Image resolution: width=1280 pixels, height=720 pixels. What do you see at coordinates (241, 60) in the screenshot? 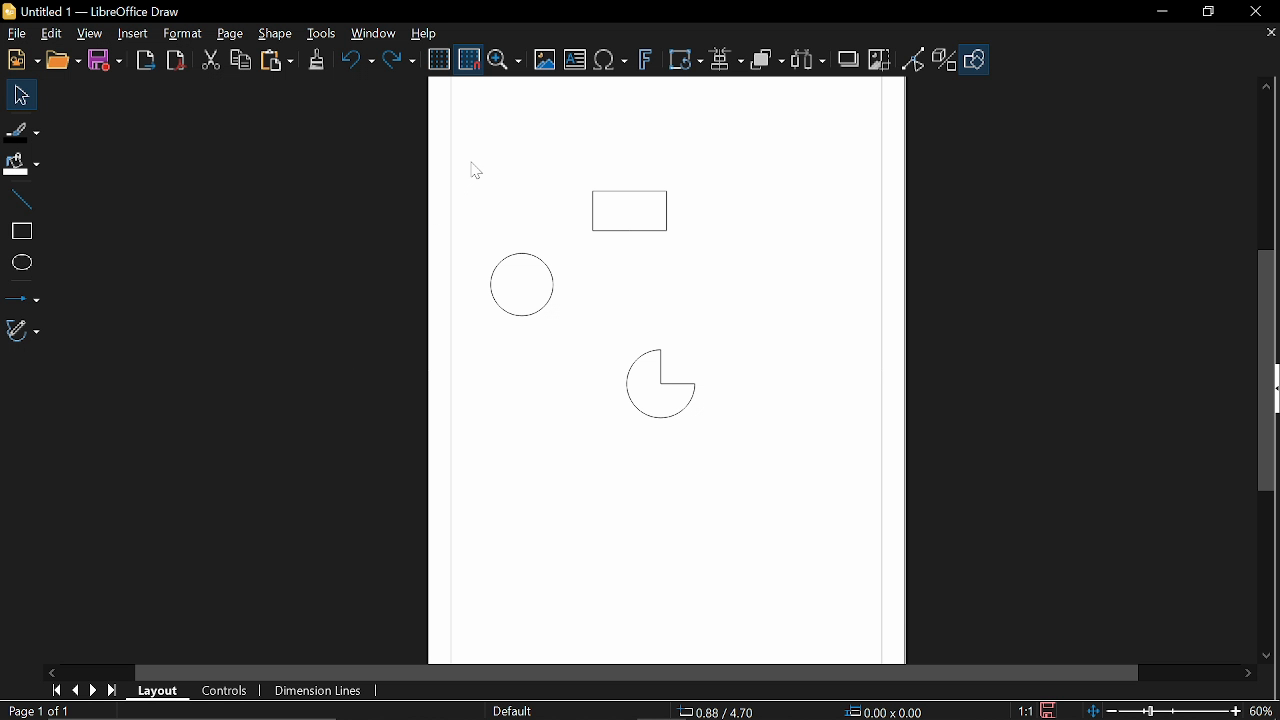
I see `Copy` at bounding box center [241, 60].